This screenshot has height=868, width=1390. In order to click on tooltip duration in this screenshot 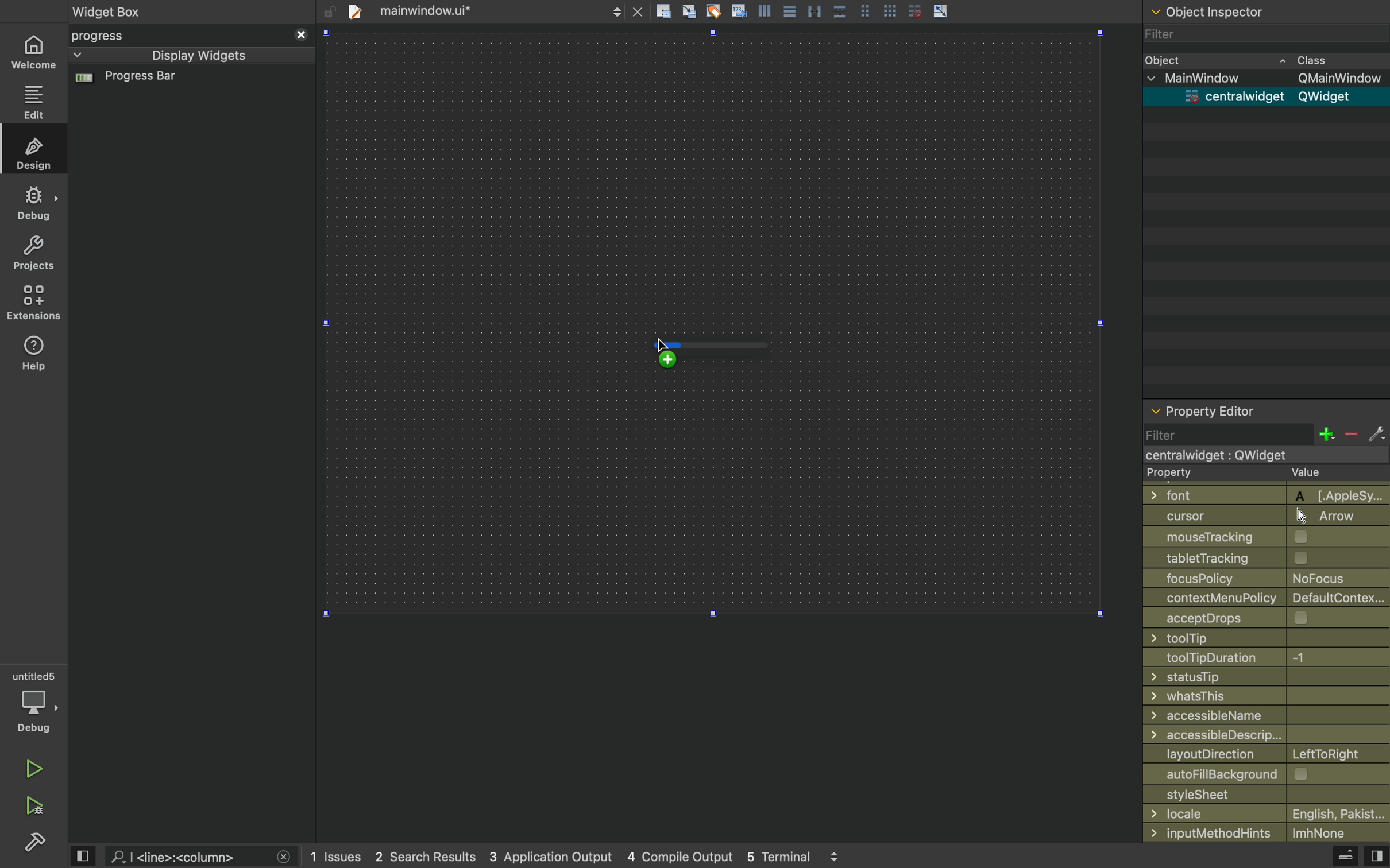, I will do `click(1250, 658)`.